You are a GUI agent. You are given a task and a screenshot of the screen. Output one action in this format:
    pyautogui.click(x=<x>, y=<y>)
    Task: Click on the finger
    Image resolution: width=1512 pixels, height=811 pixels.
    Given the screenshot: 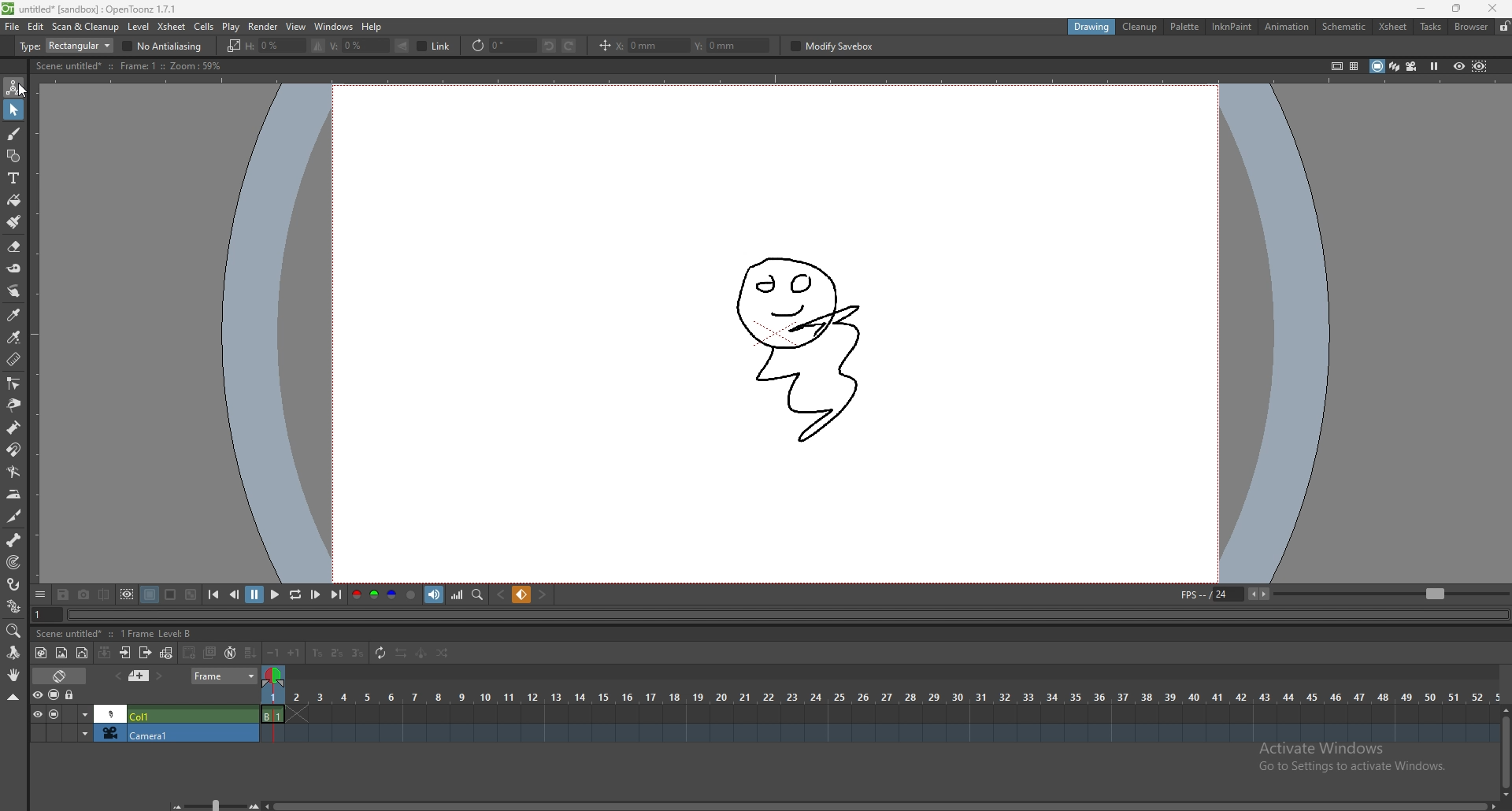 What is the action you would take?
    pyautogui.click(x=16, y=291)
    